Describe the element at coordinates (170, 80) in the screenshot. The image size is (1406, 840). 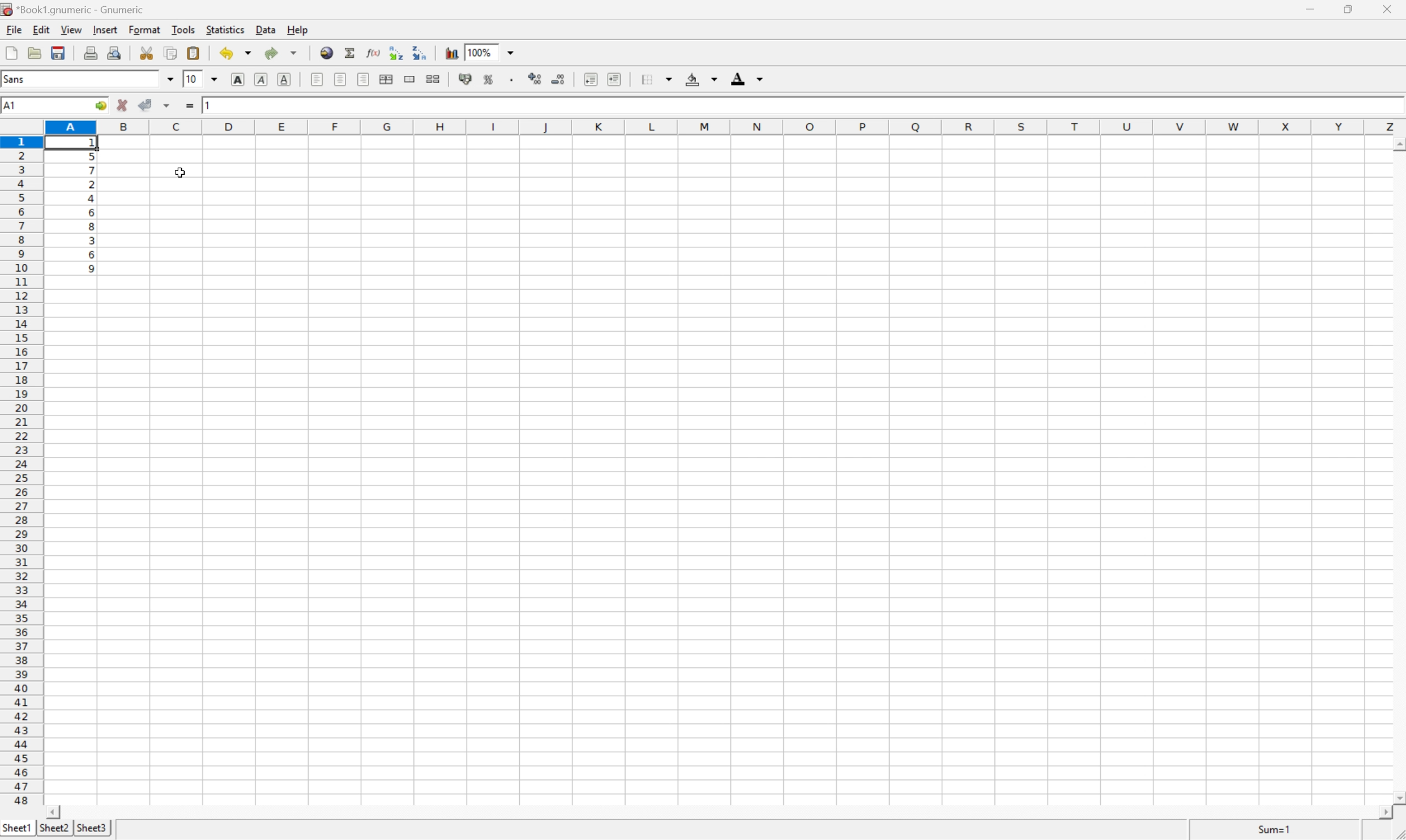
I see `drop down` at that location.